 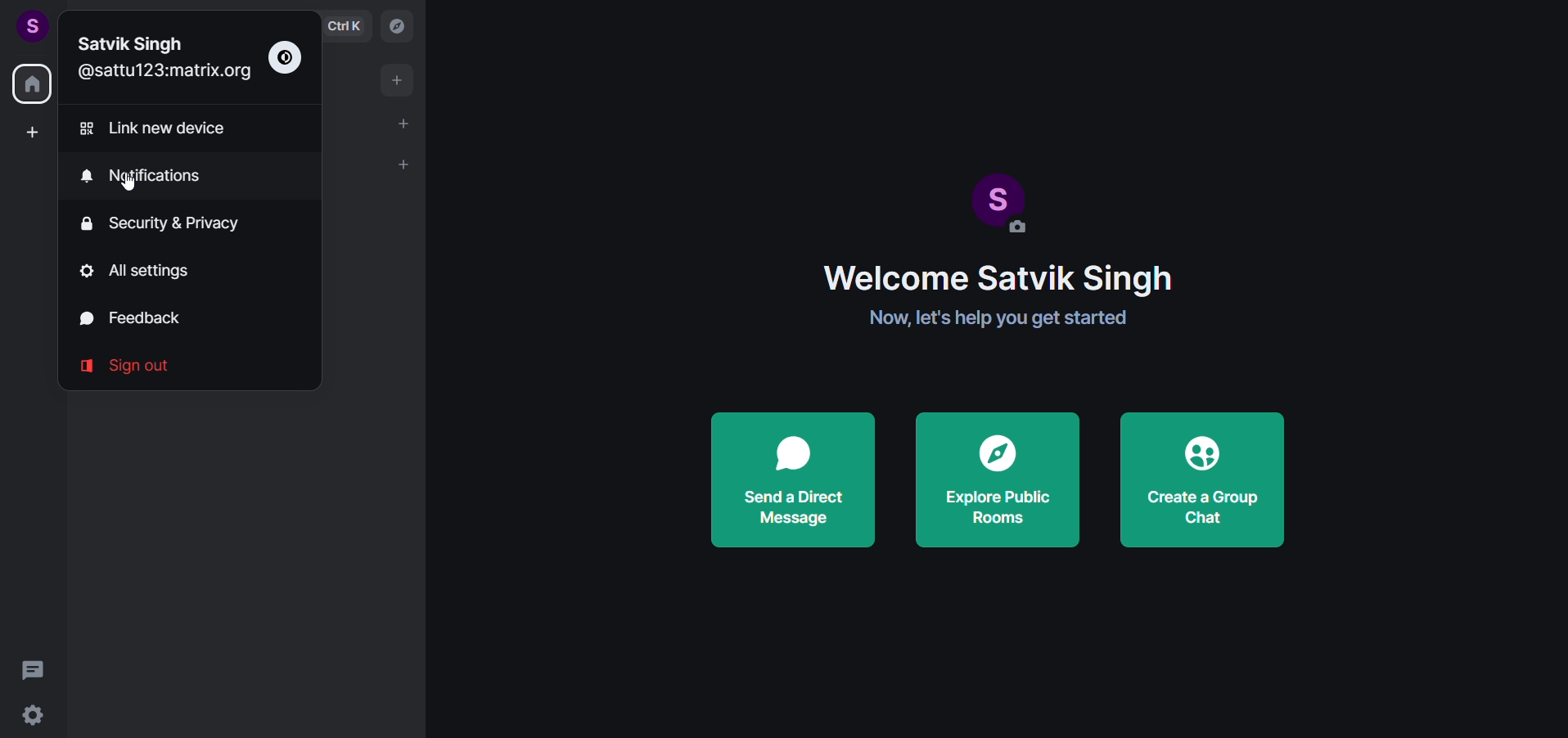 I want to click on security and privacy, so click(x=163, y=223).